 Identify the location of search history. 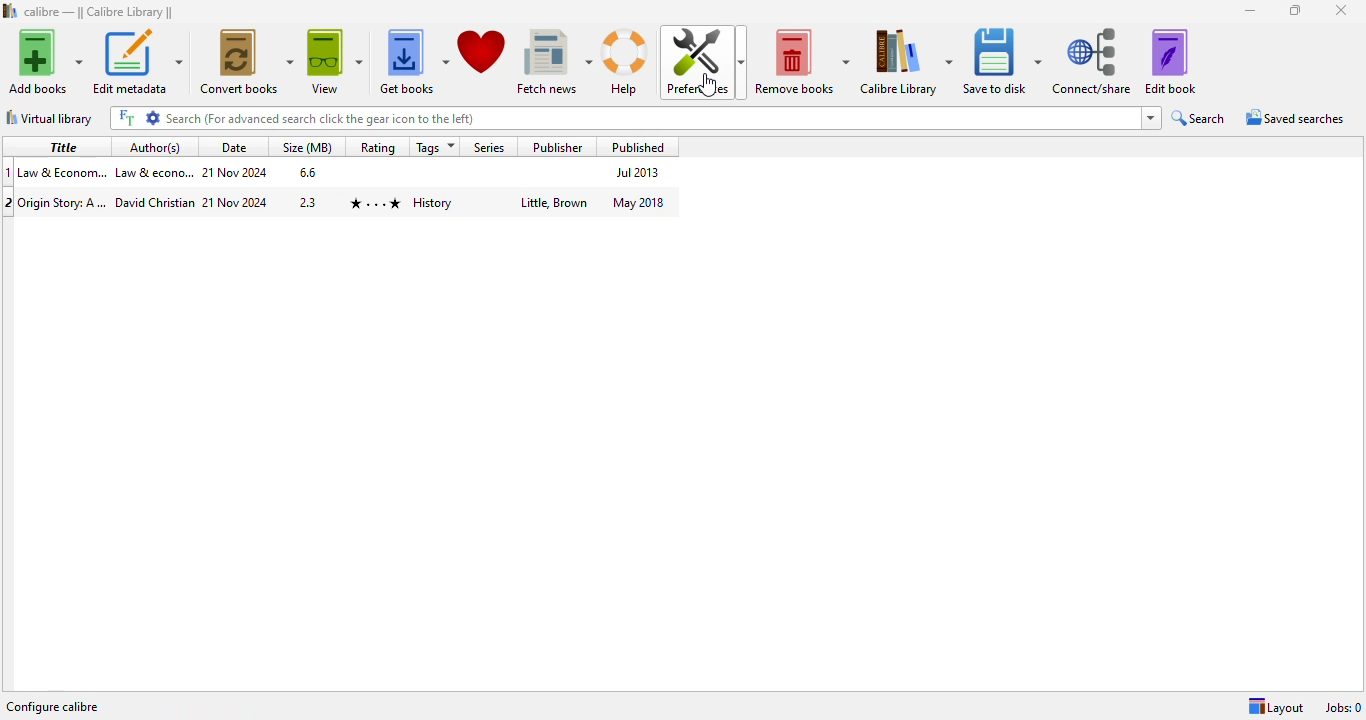
(1150, 117).